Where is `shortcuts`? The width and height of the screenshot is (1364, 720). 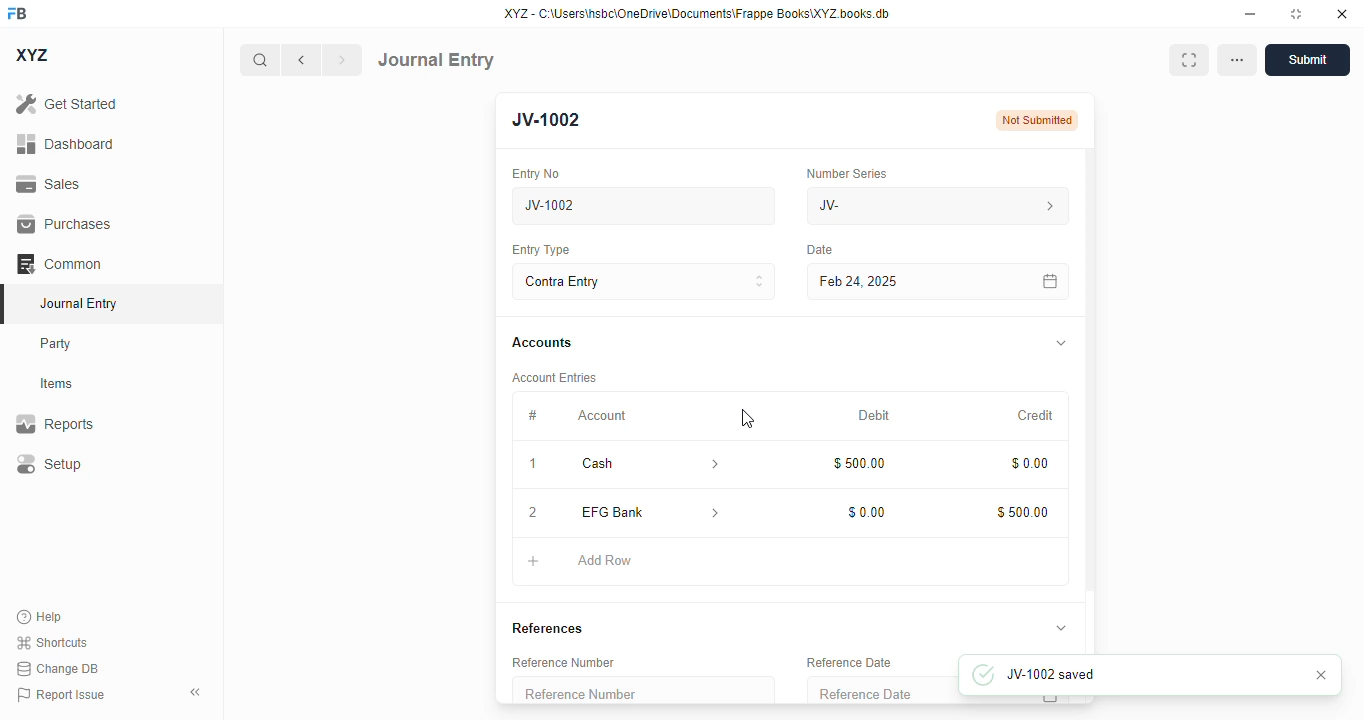 shortcuts is located at coordinates (52, 642).